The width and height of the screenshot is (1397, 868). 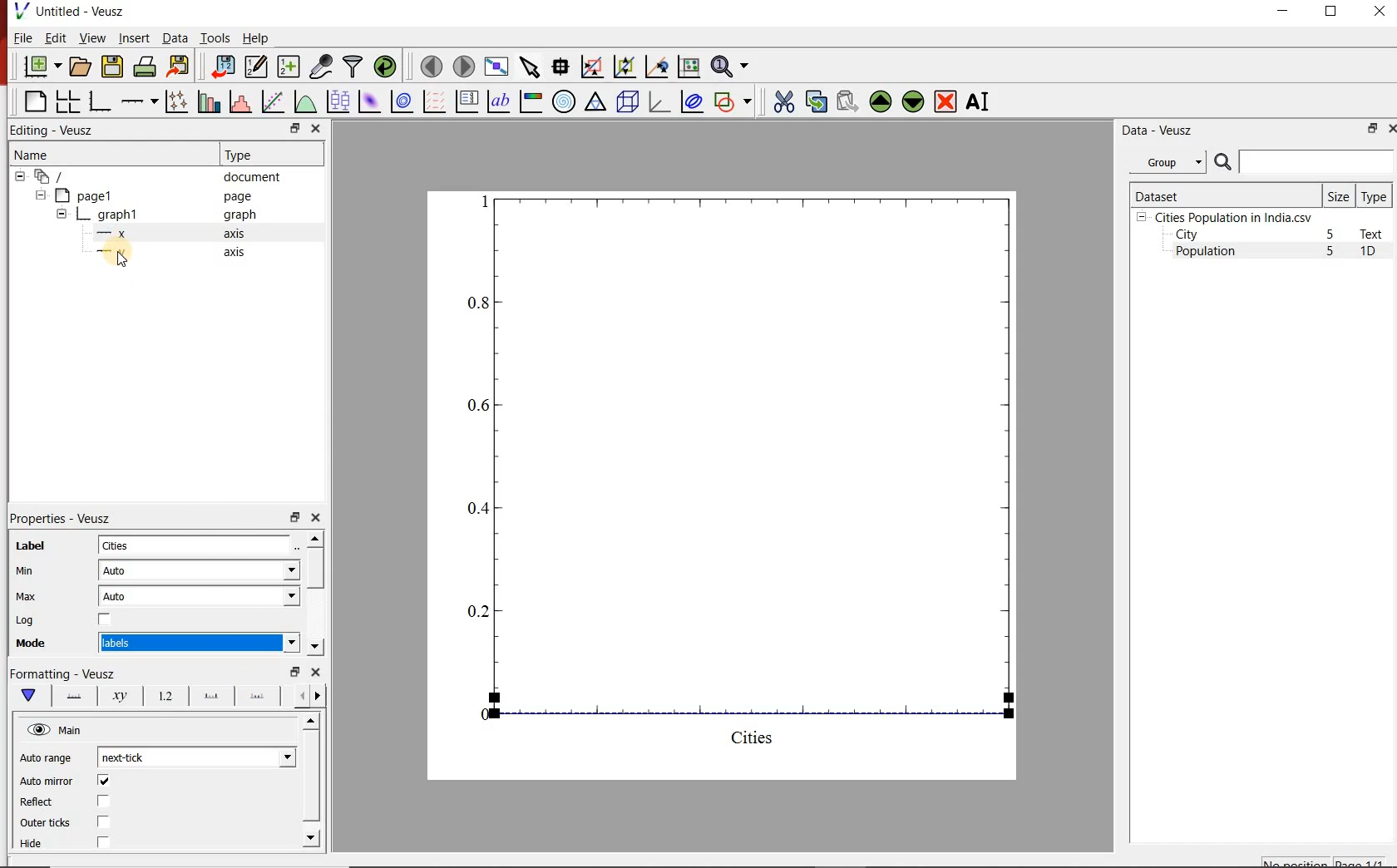 What do you see at coordinates (173, 234) in the screenshot?
I see `x axis` at bounding box center [173, 234].